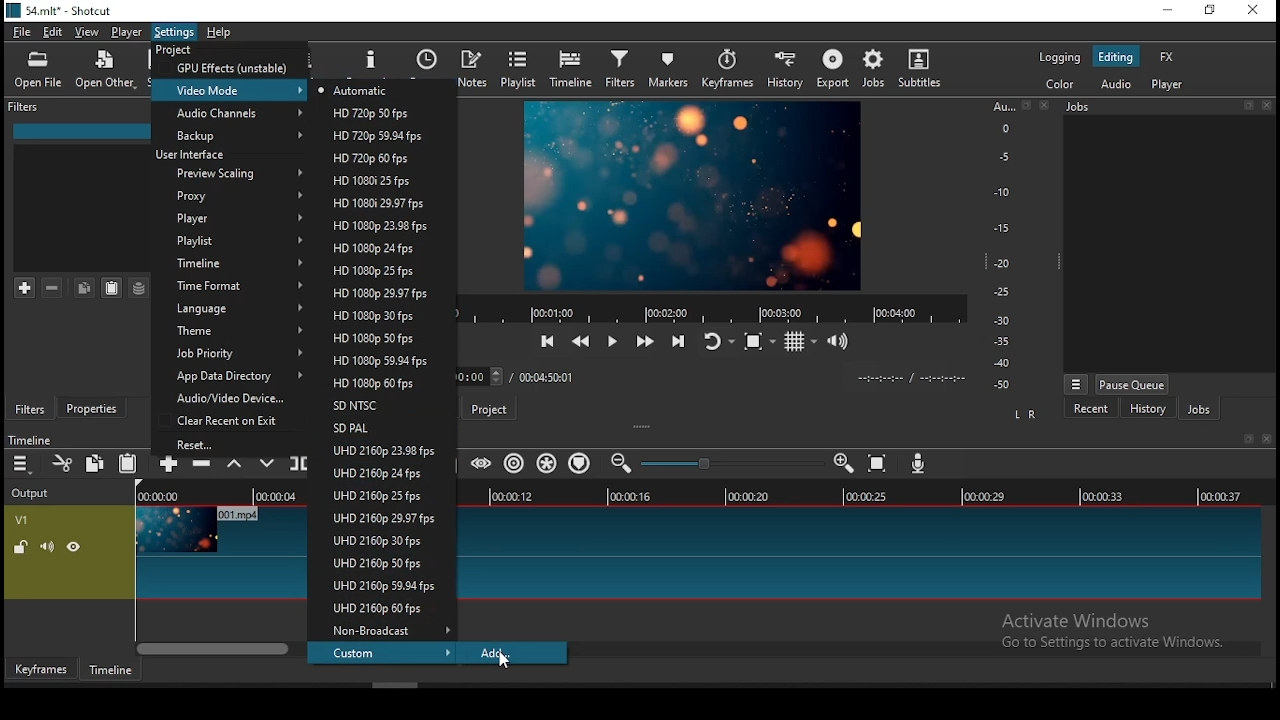  I want to click on player, so click(228, 220).